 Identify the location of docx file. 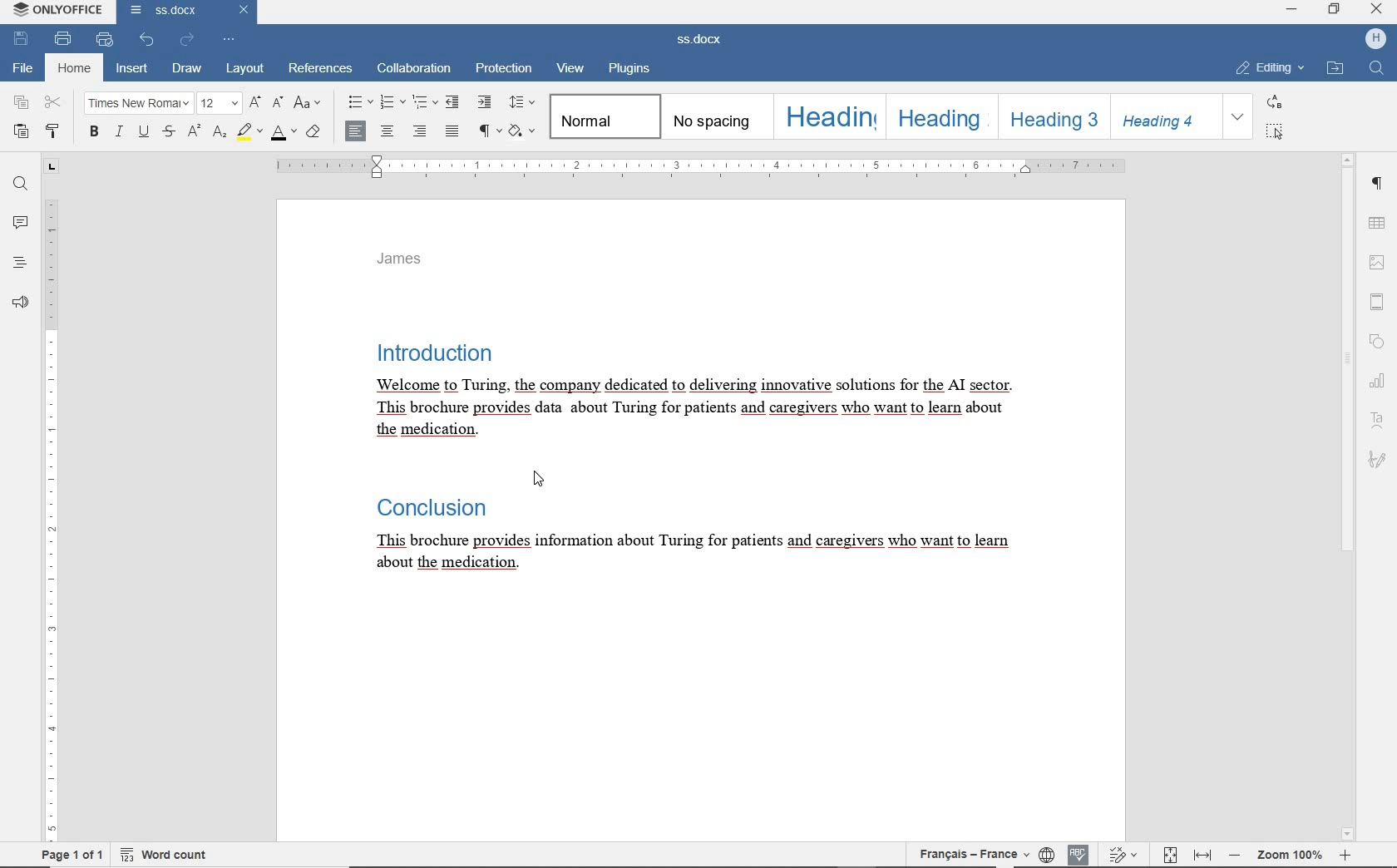
(698, 42).